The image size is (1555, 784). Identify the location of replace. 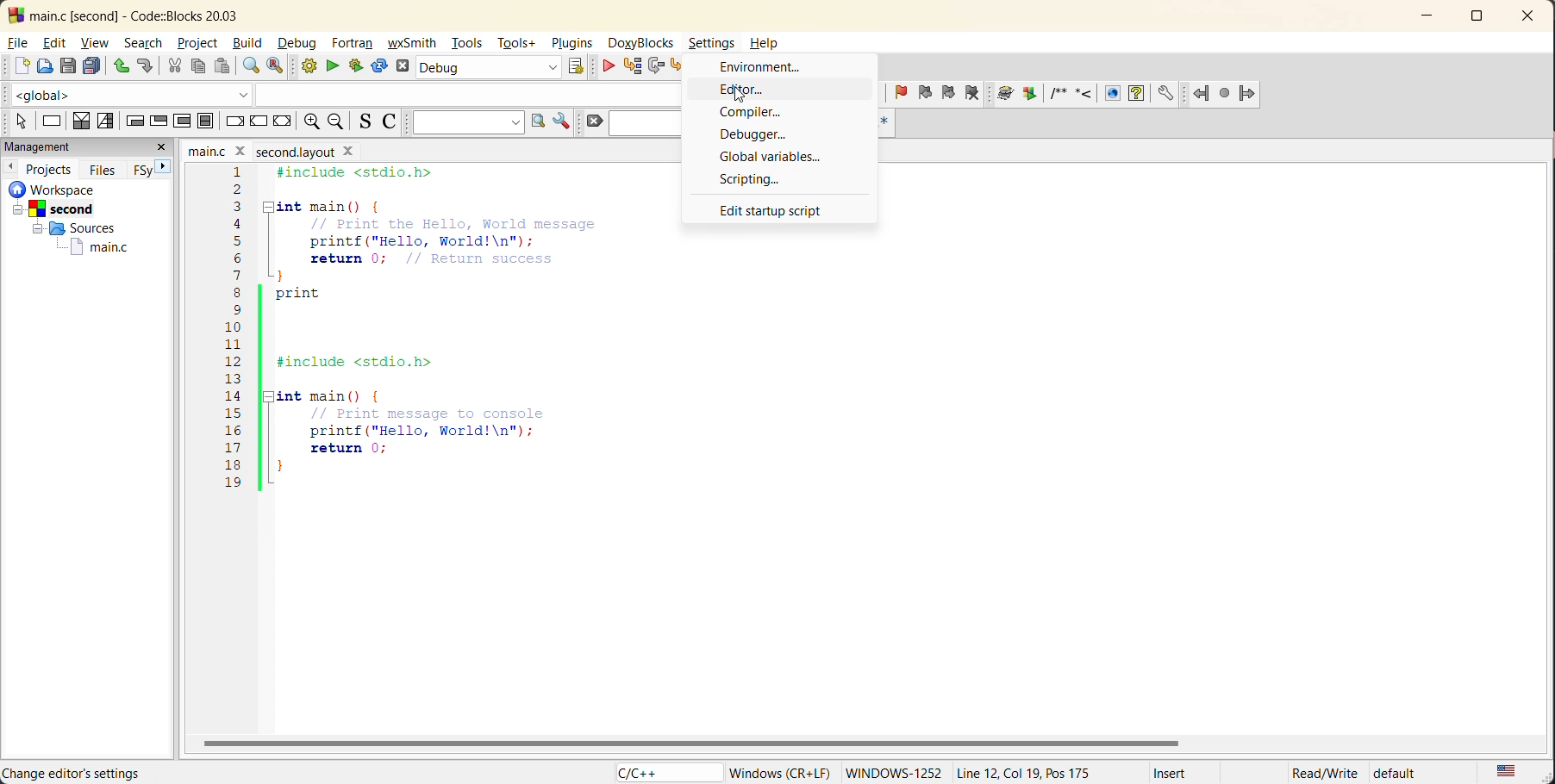
(279, 66).